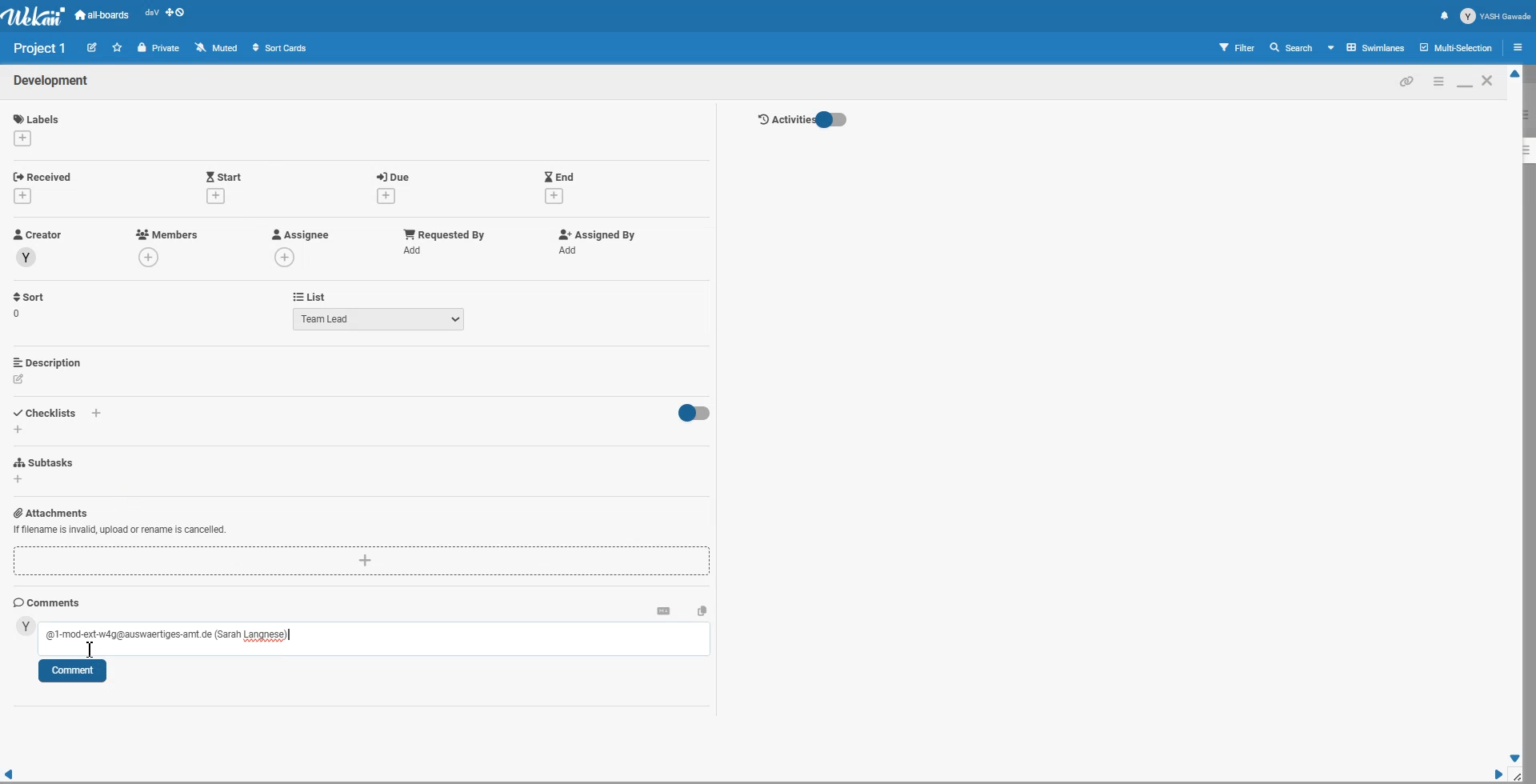 This screenshot has height=784, width=1536. What do you see at coordinates (49, 362) in the screenshot?
I see `Add Description` at bounding box center [49, 362].